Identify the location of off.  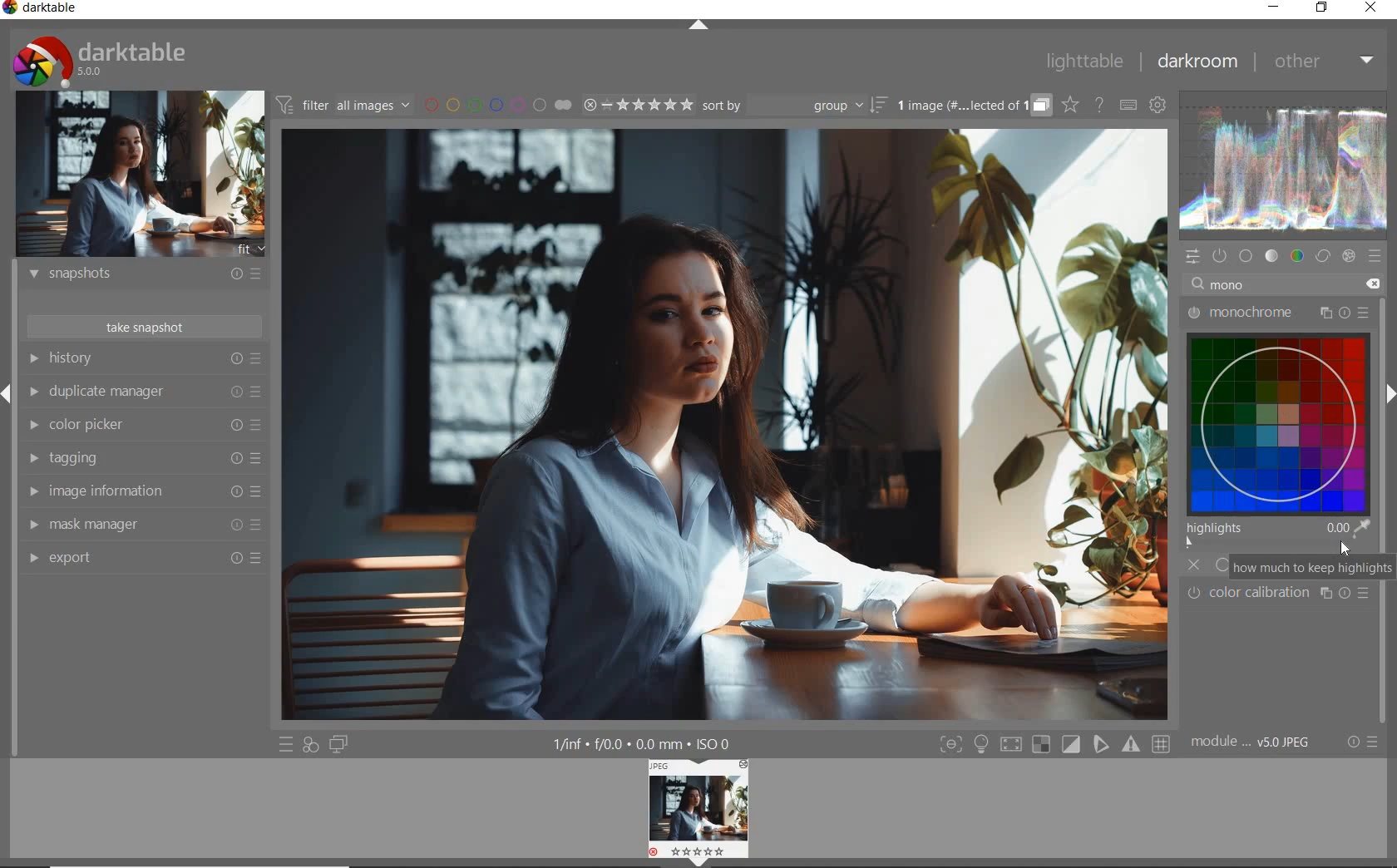
(1195, 565).